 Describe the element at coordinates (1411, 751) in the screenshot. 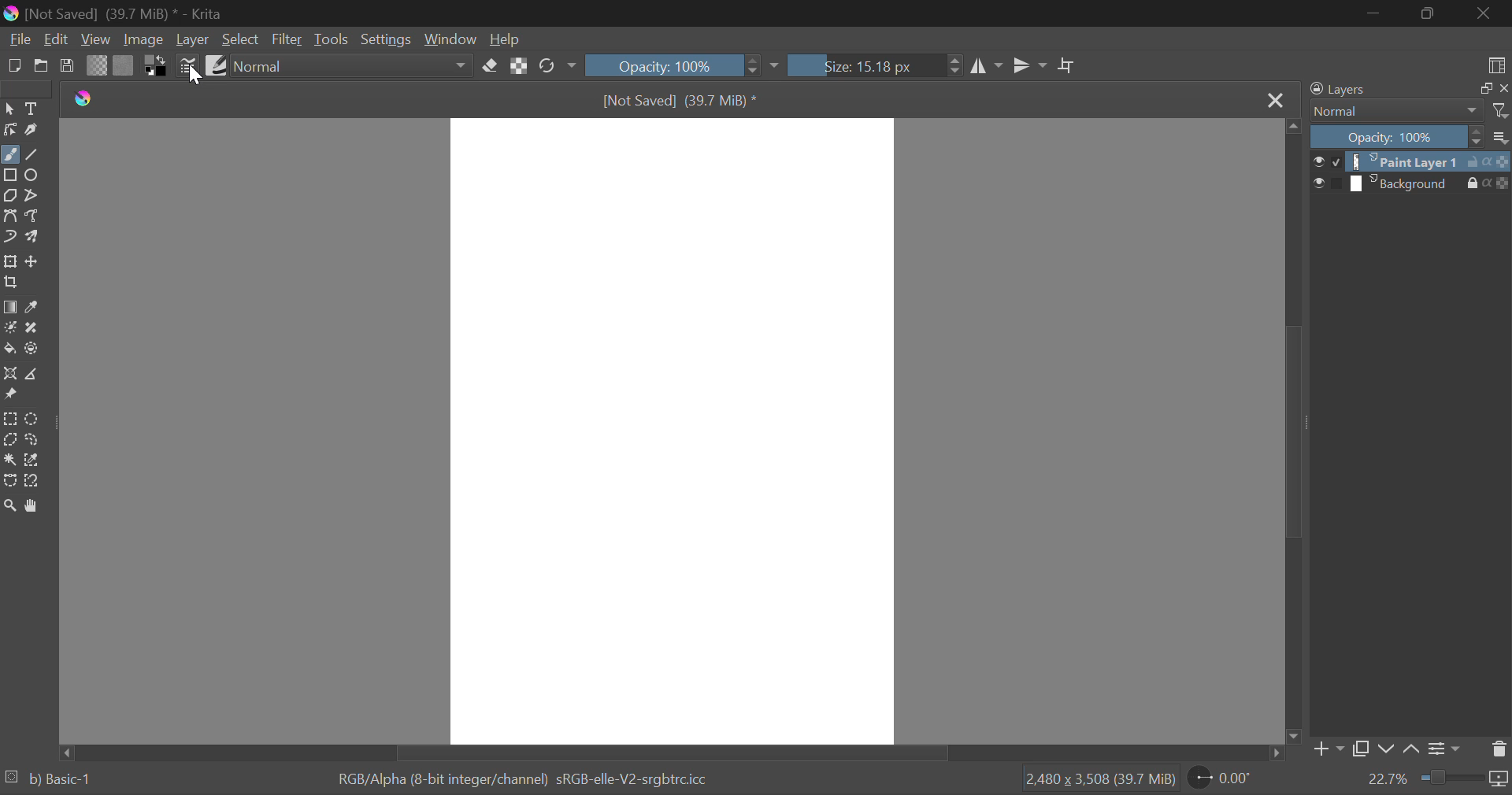

I see `Move Layer Up` at that location.